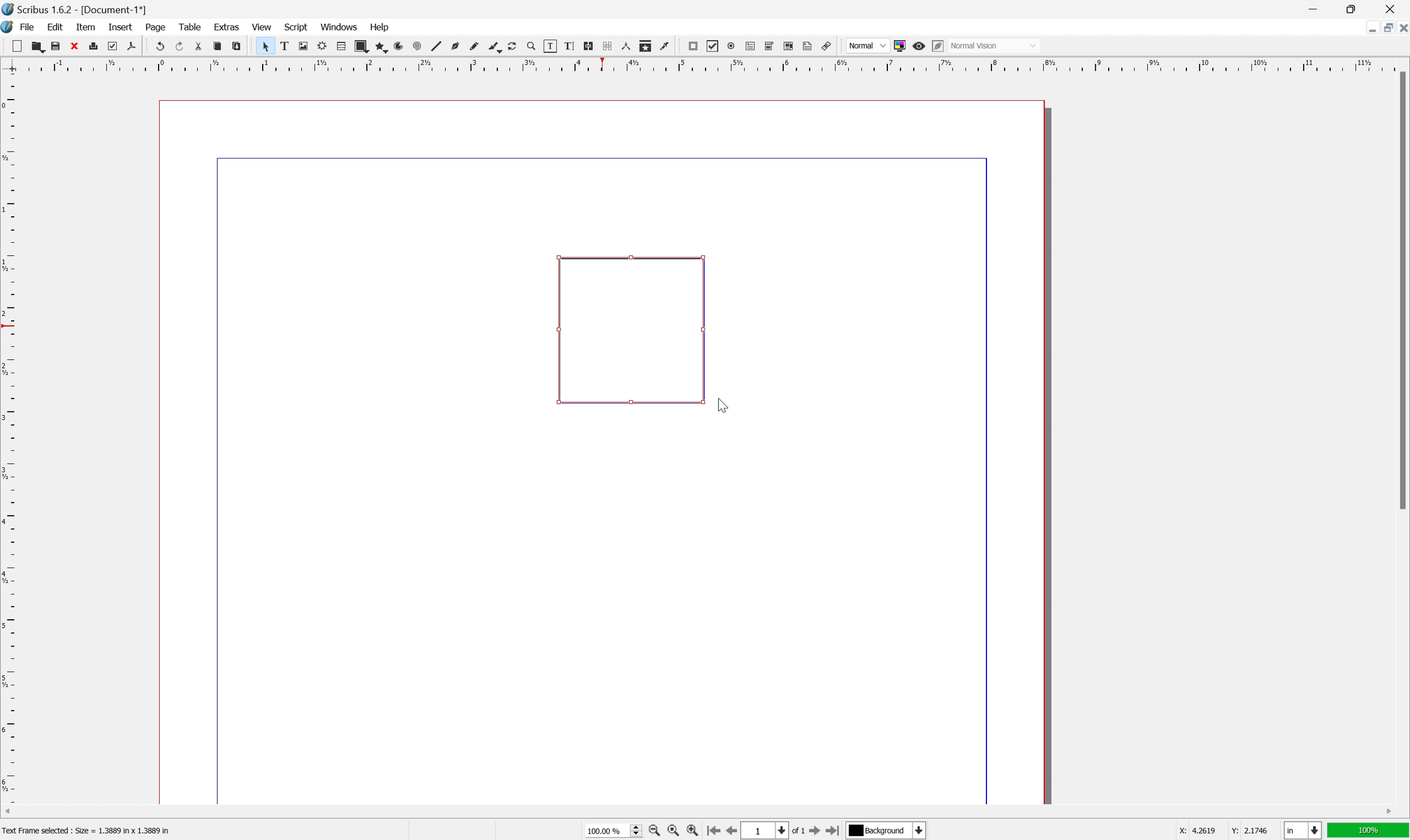 The width and height of the screenshot is (1410, 840). I want to click on copy, so click(217, 46).